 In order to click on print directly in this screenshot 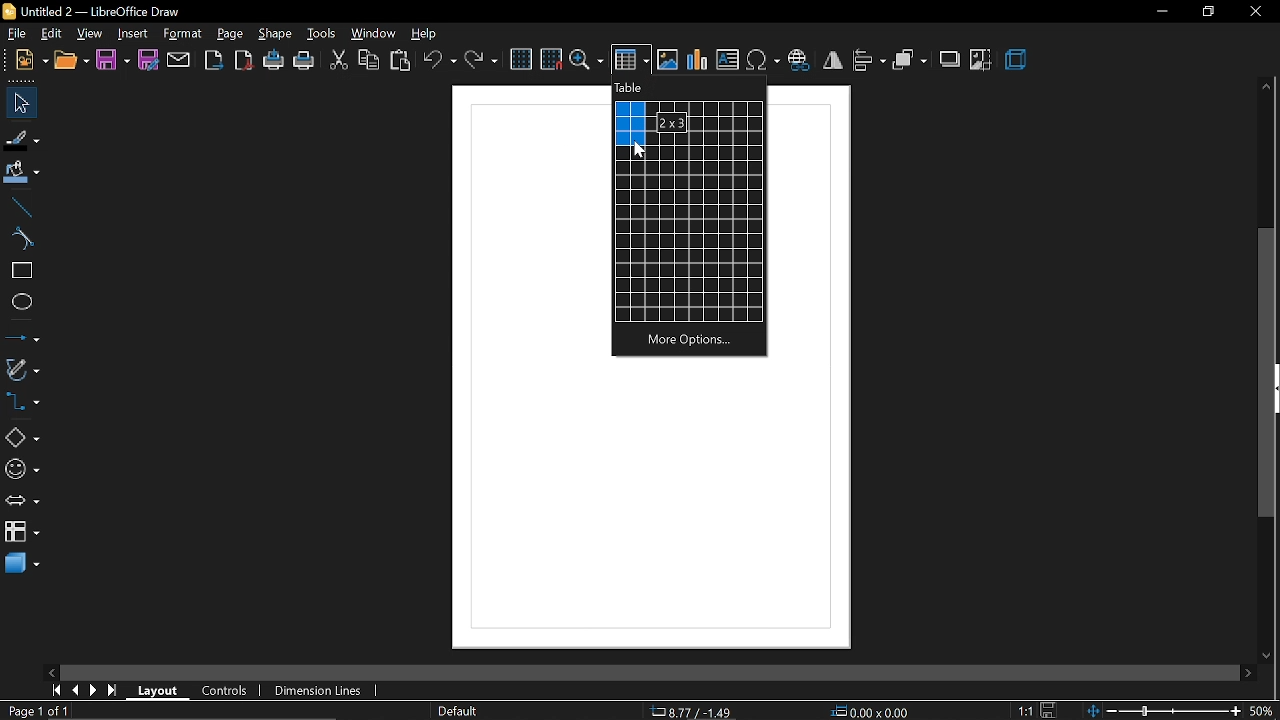, I will do `click(274, 60)`.